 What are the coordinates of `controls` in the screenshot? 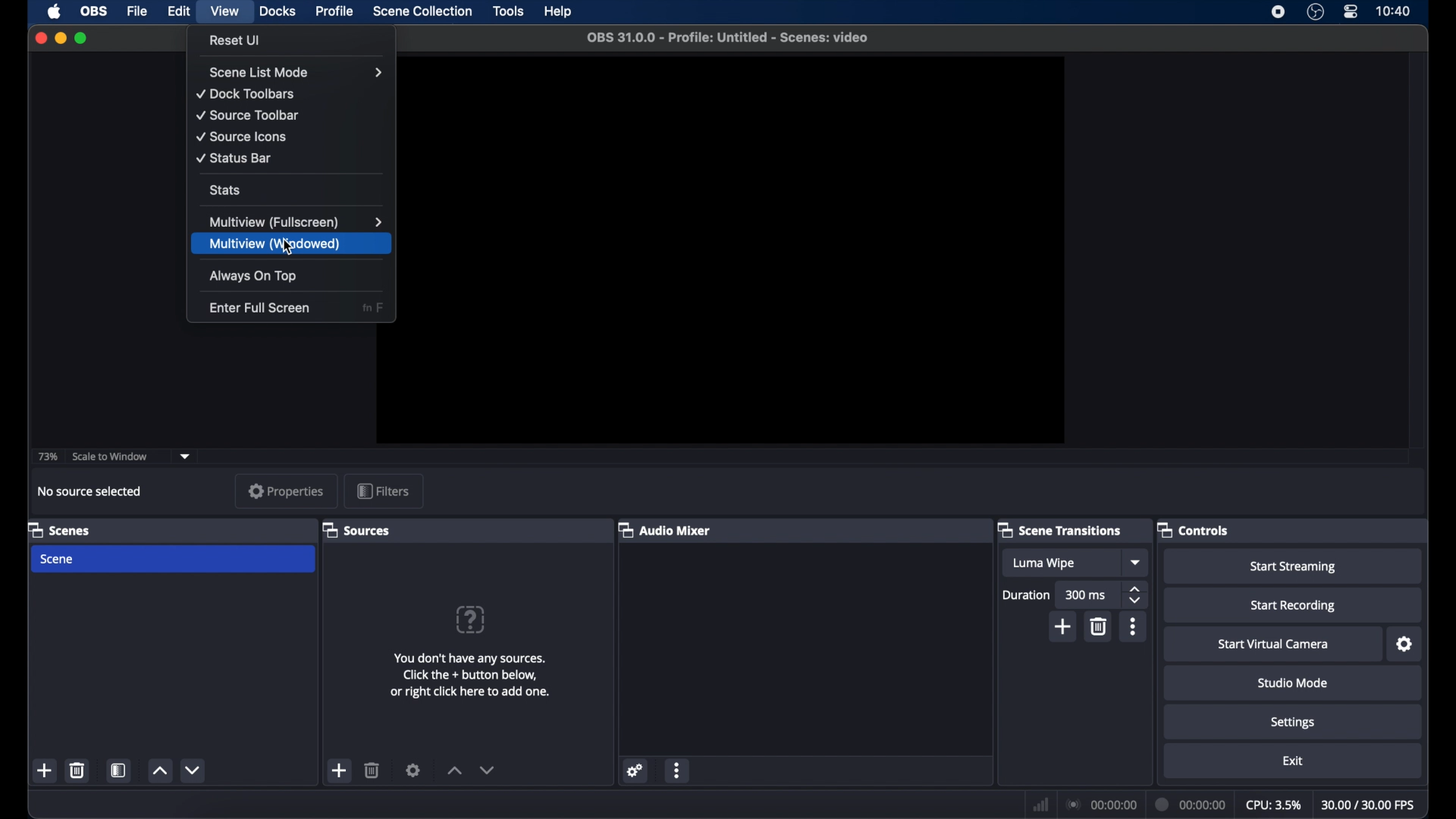 It's located at (1193, 529).